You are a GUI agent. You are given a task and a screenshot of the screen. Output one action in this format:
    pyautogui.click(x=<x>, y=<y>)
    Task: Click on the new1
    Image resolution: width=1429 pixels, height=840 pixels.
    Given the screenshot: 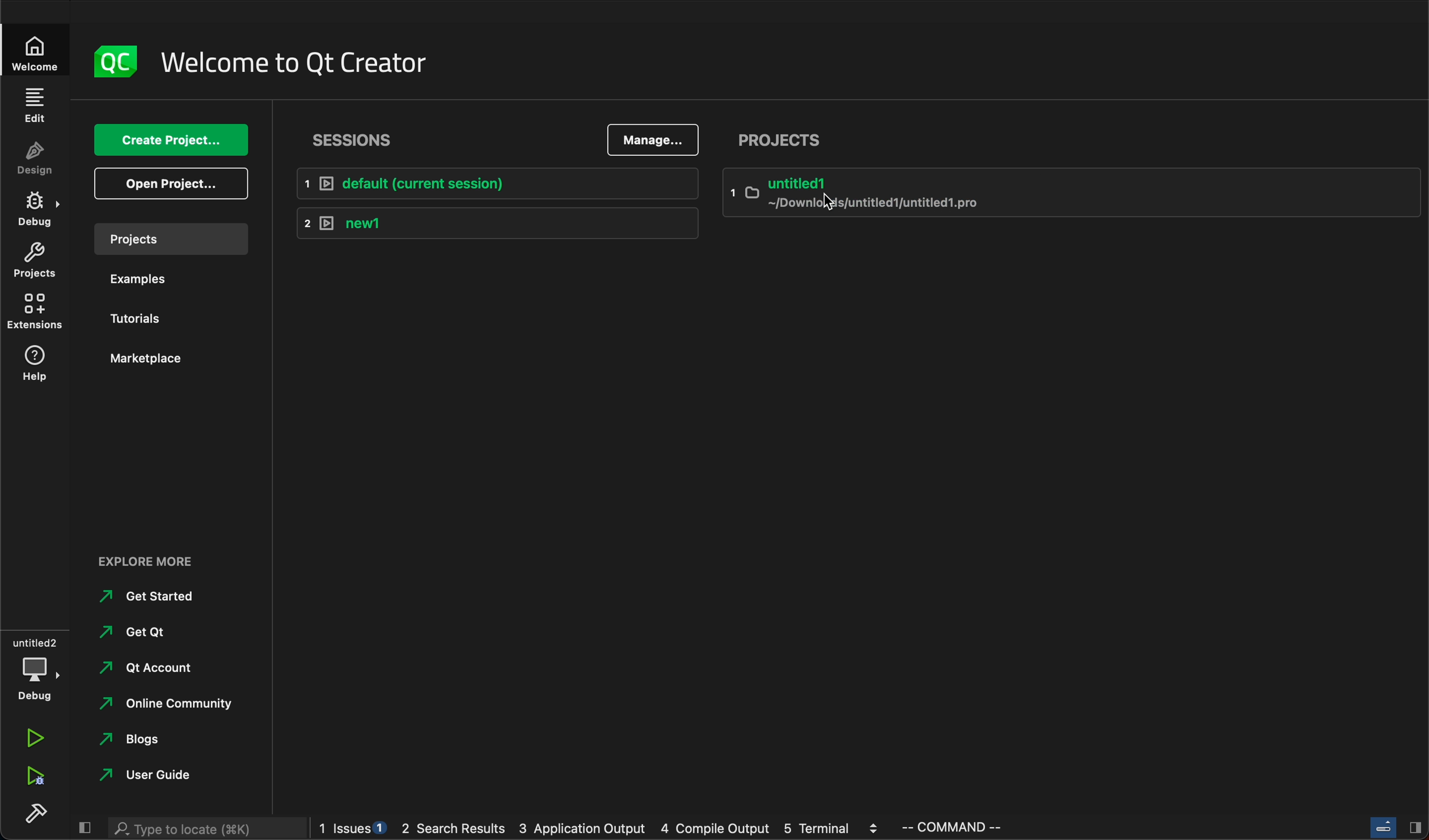 What is the action you would take?
    pyautogui.click(x=497, y=221)
    